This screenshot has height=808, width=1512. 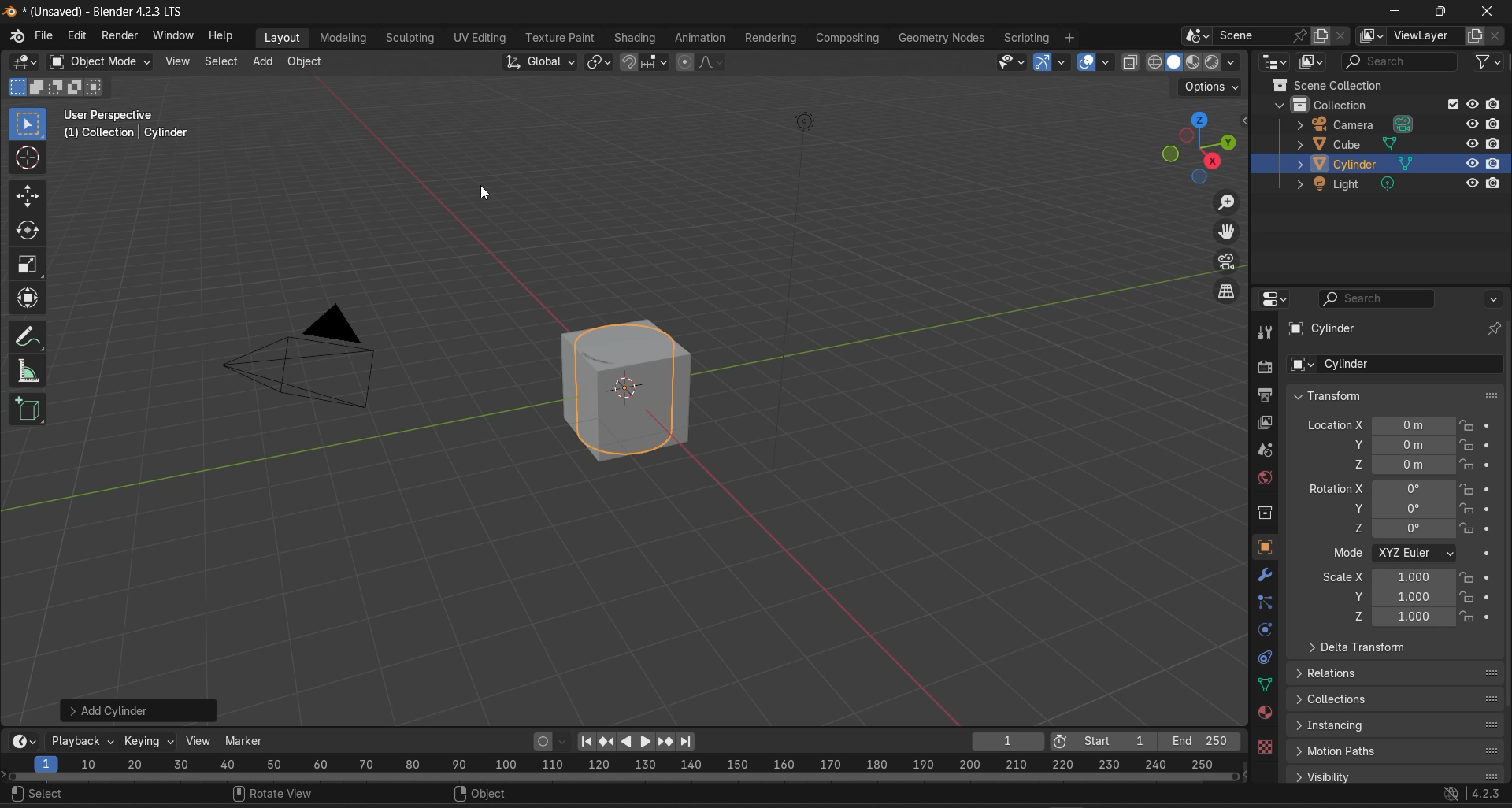 What do you see at coordinates (16, 87) in the screenshot?
I see `mode:set a new selection` at bounding box center [16, 87].